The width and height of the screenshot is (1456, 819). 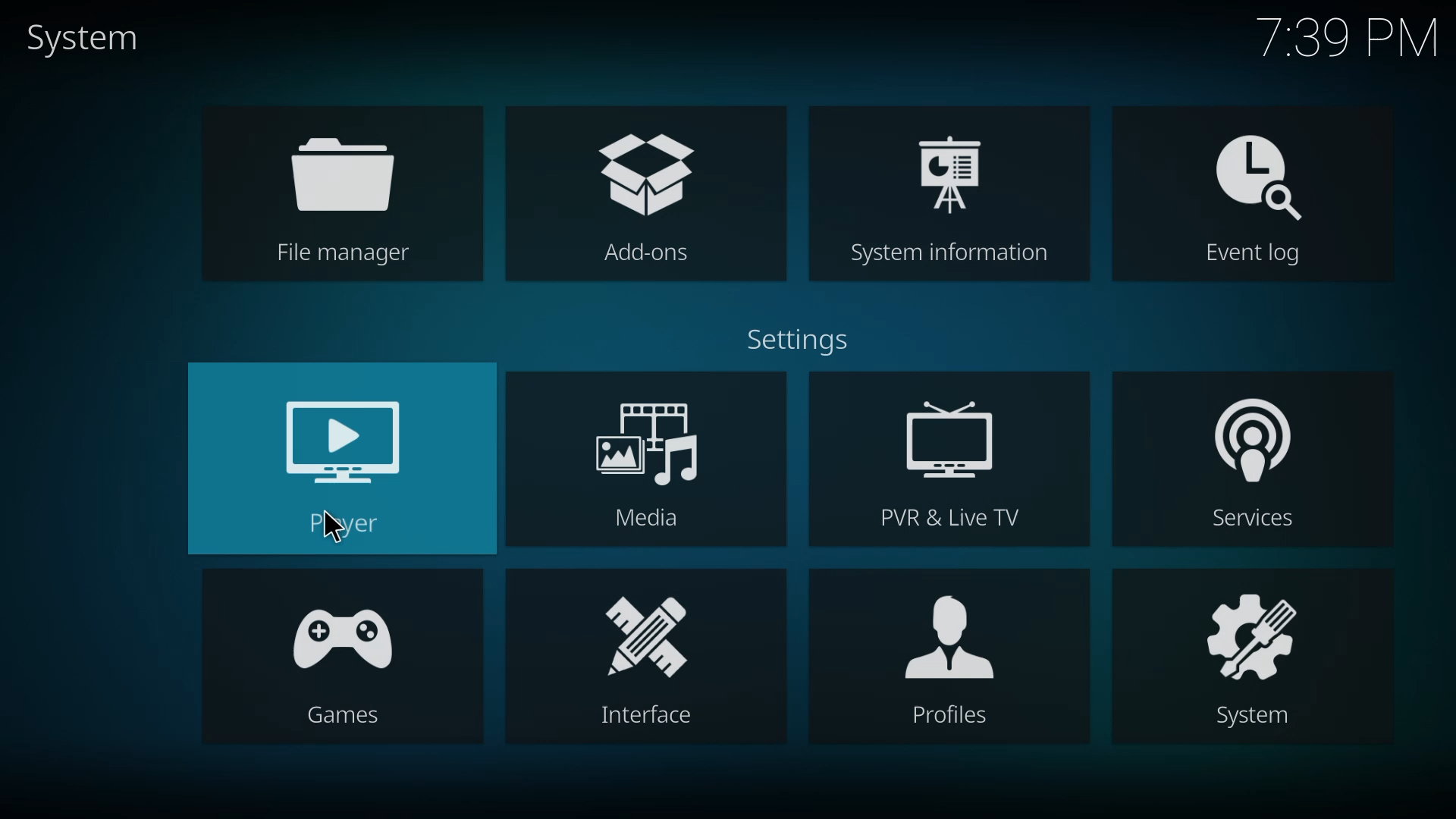 I want to click on services, so click(x=1258, y=460).